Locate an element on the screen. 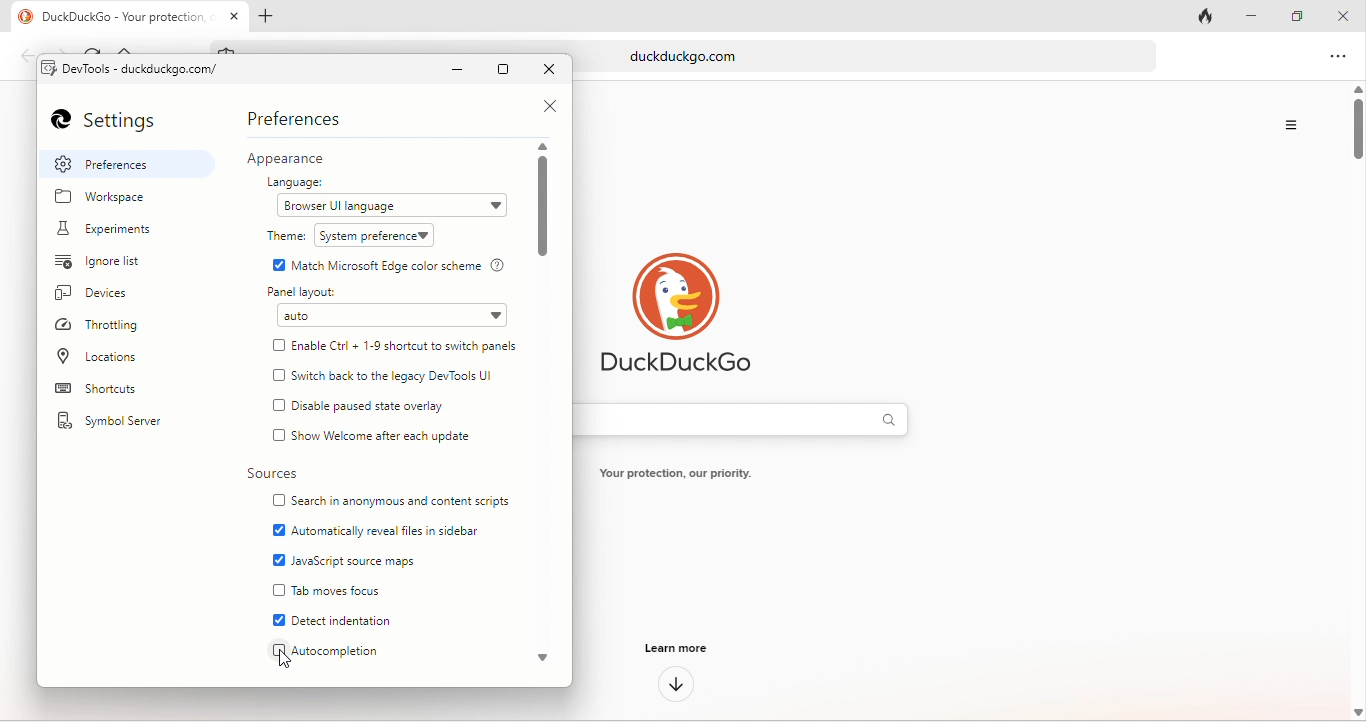 This screenshot has height=722, width=1366. dev tools - duclduckgo.com is located at coordinates (148, 70).